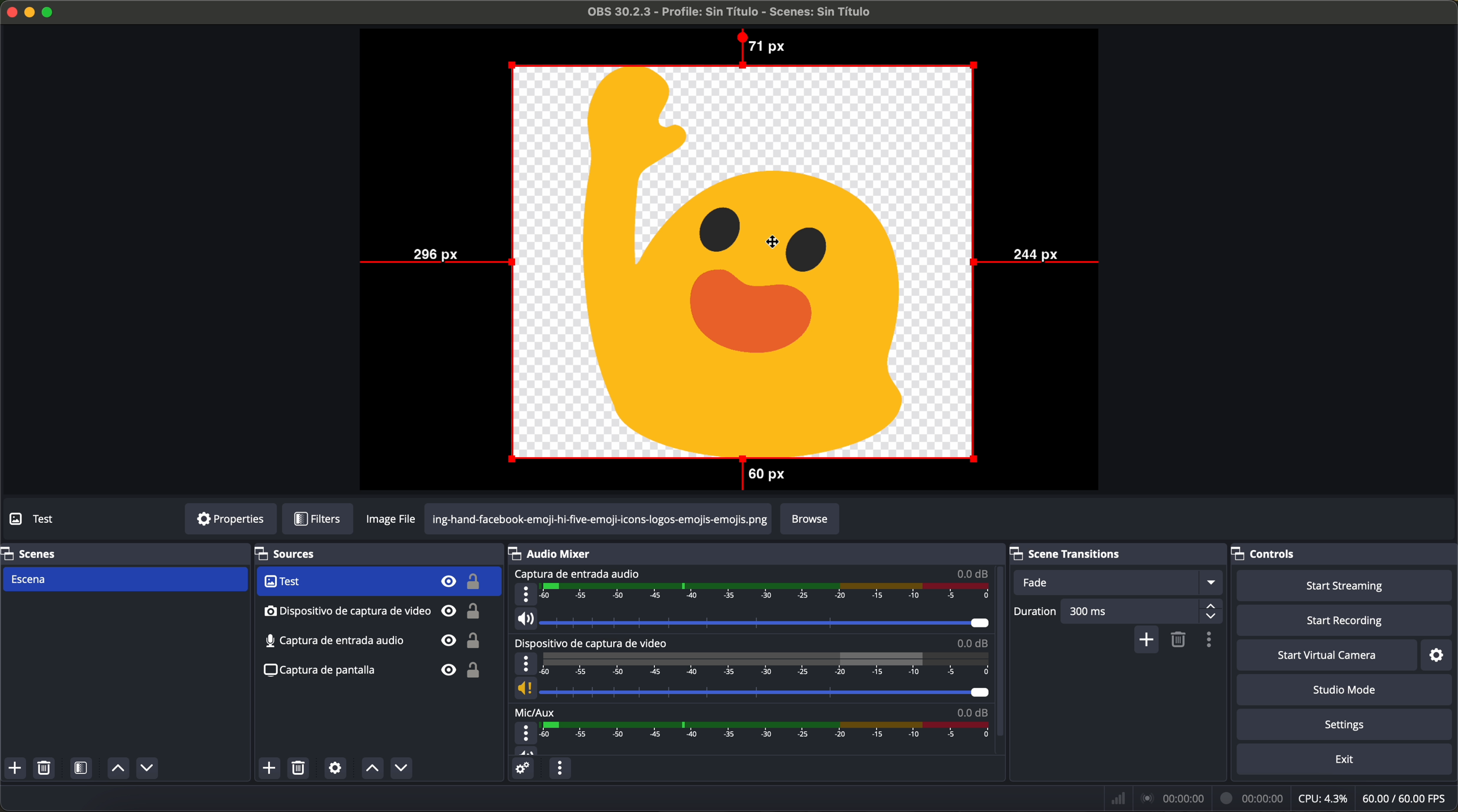 The width and height of the screenshot is (1458, 812). Describe the element at coordinates (59, 518) in the screenshot. I see `no source selected` at that location.